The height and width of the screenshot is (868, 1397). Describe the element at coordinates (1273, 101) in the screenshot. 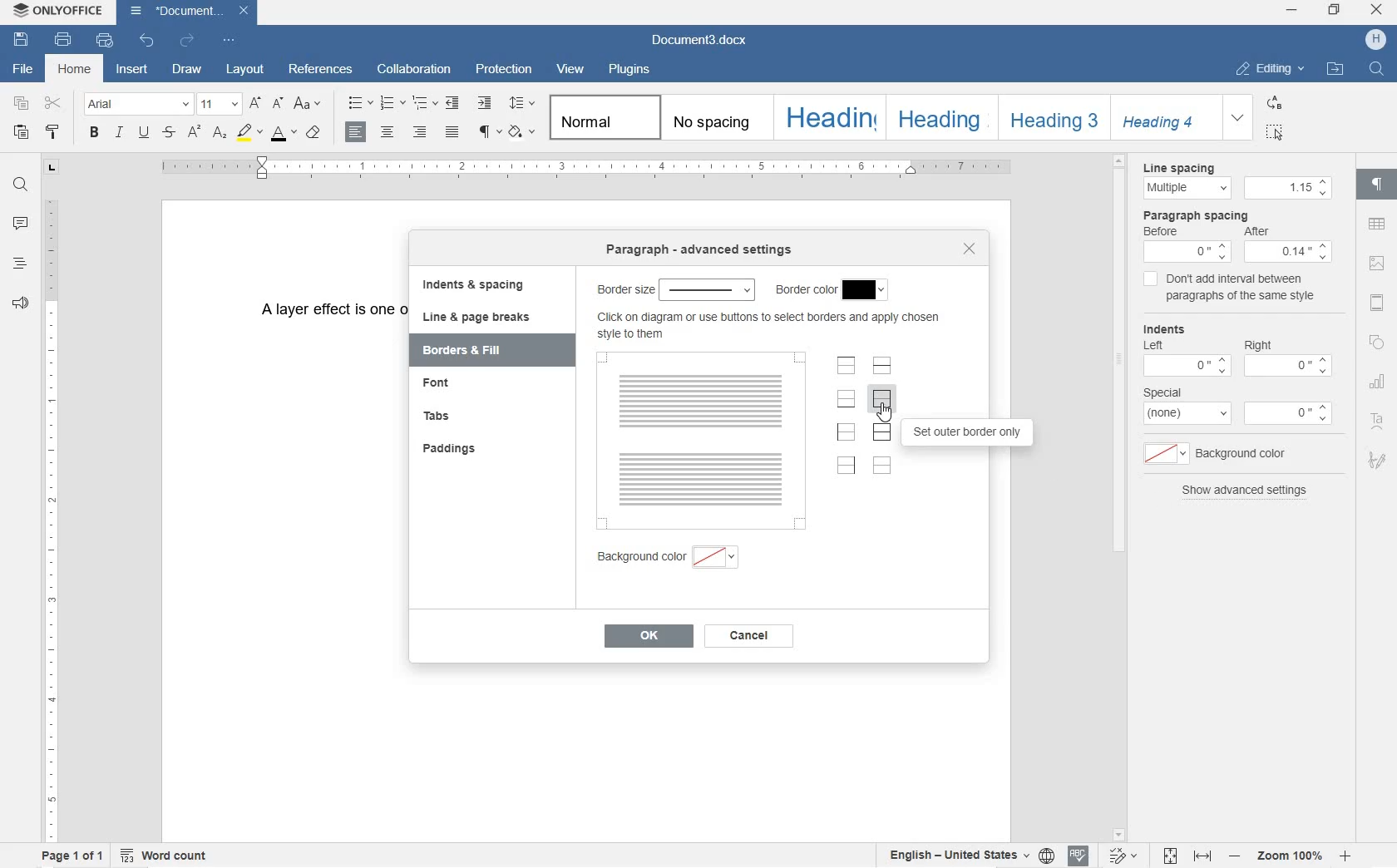

I see `REPLACE` at that location.